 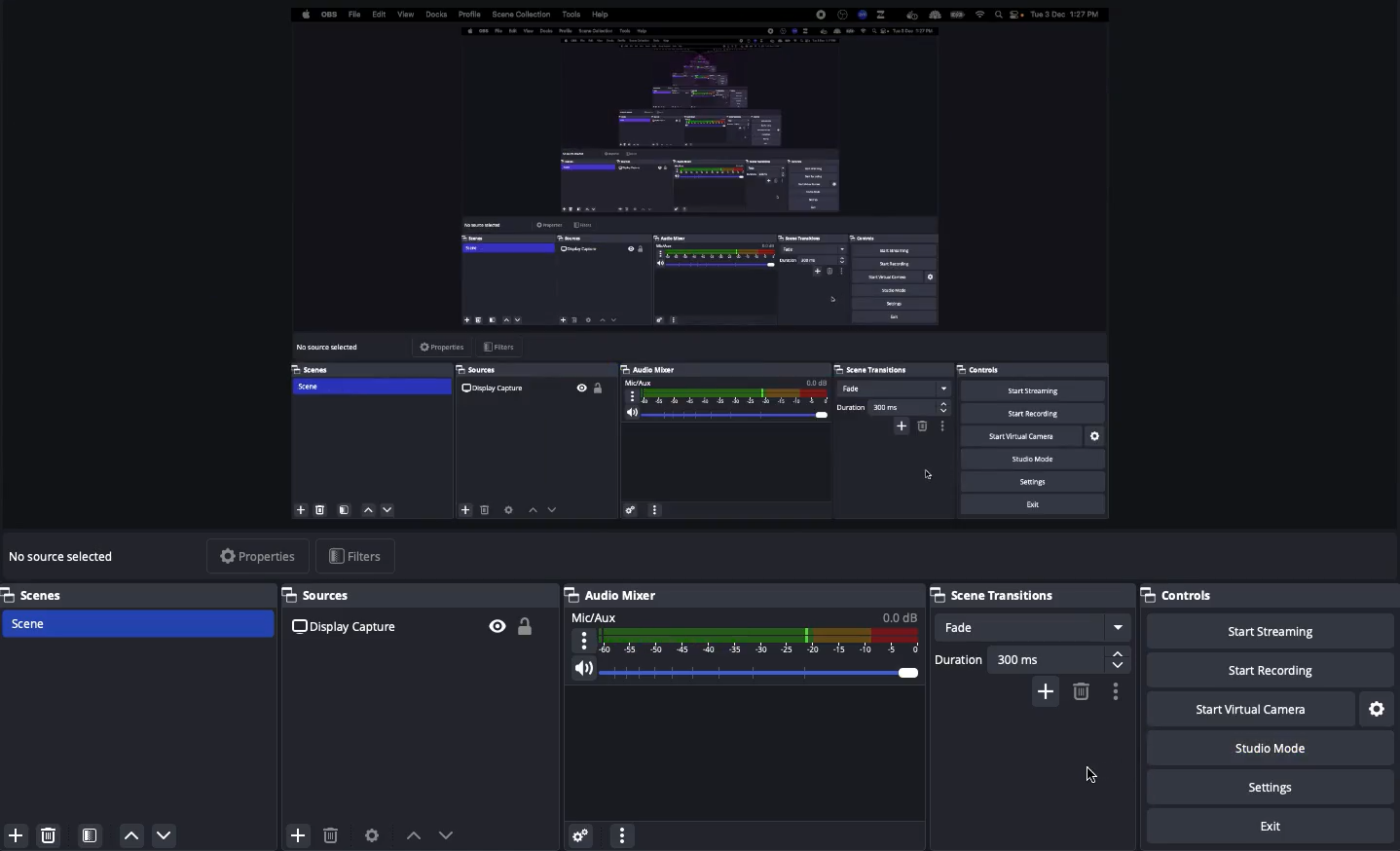 What do you see at coordinates (299, 836) in the screenshot?
I see `add` at bounding box center [299, 836].